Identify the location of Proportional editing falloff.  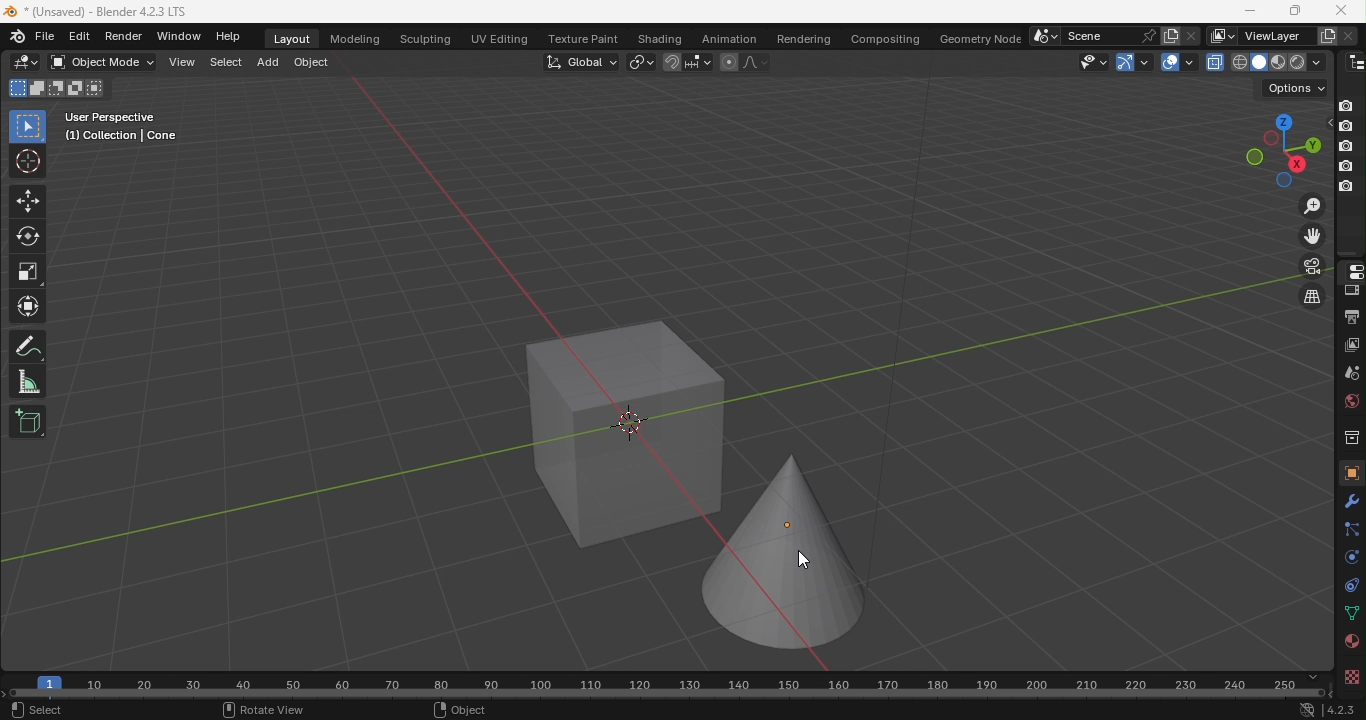
(757, 64).